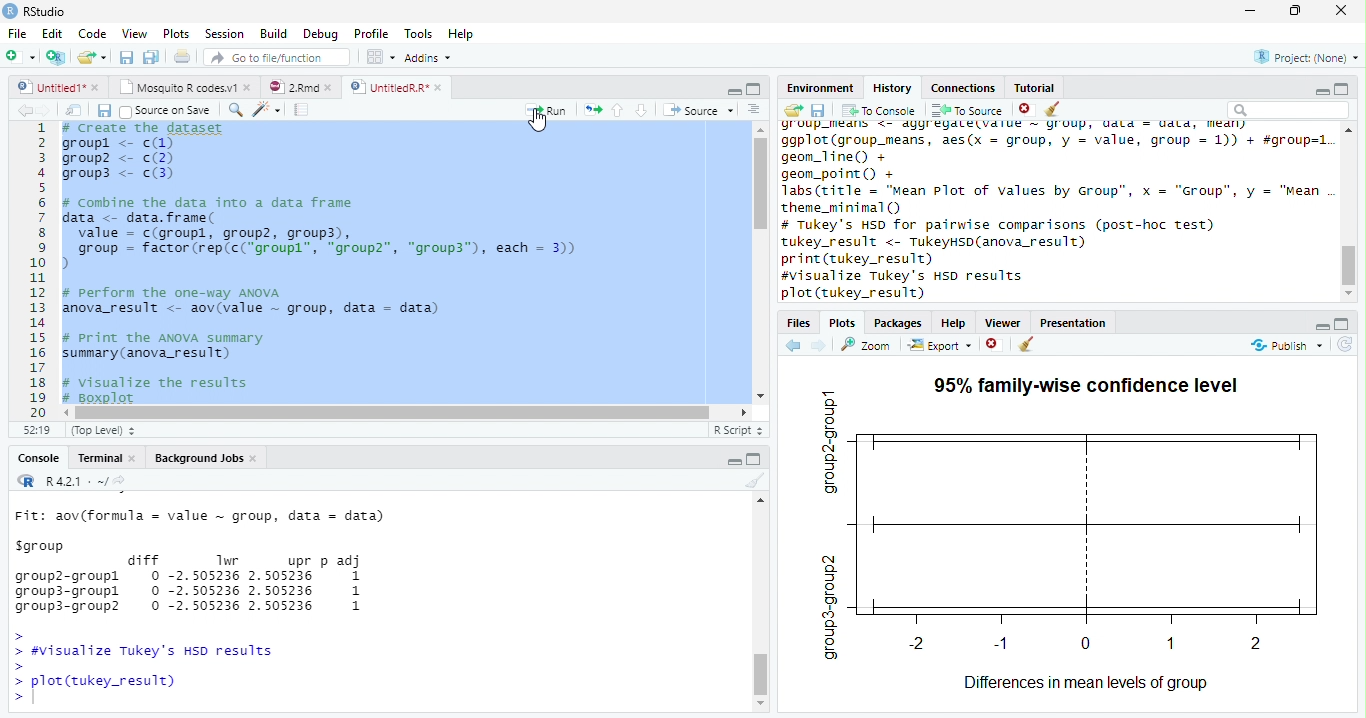 The image size is (1366, 718). What do you see at coordinates (370, 34) in the screenshot?
I see `Profile` at bounding box center [370, 34].